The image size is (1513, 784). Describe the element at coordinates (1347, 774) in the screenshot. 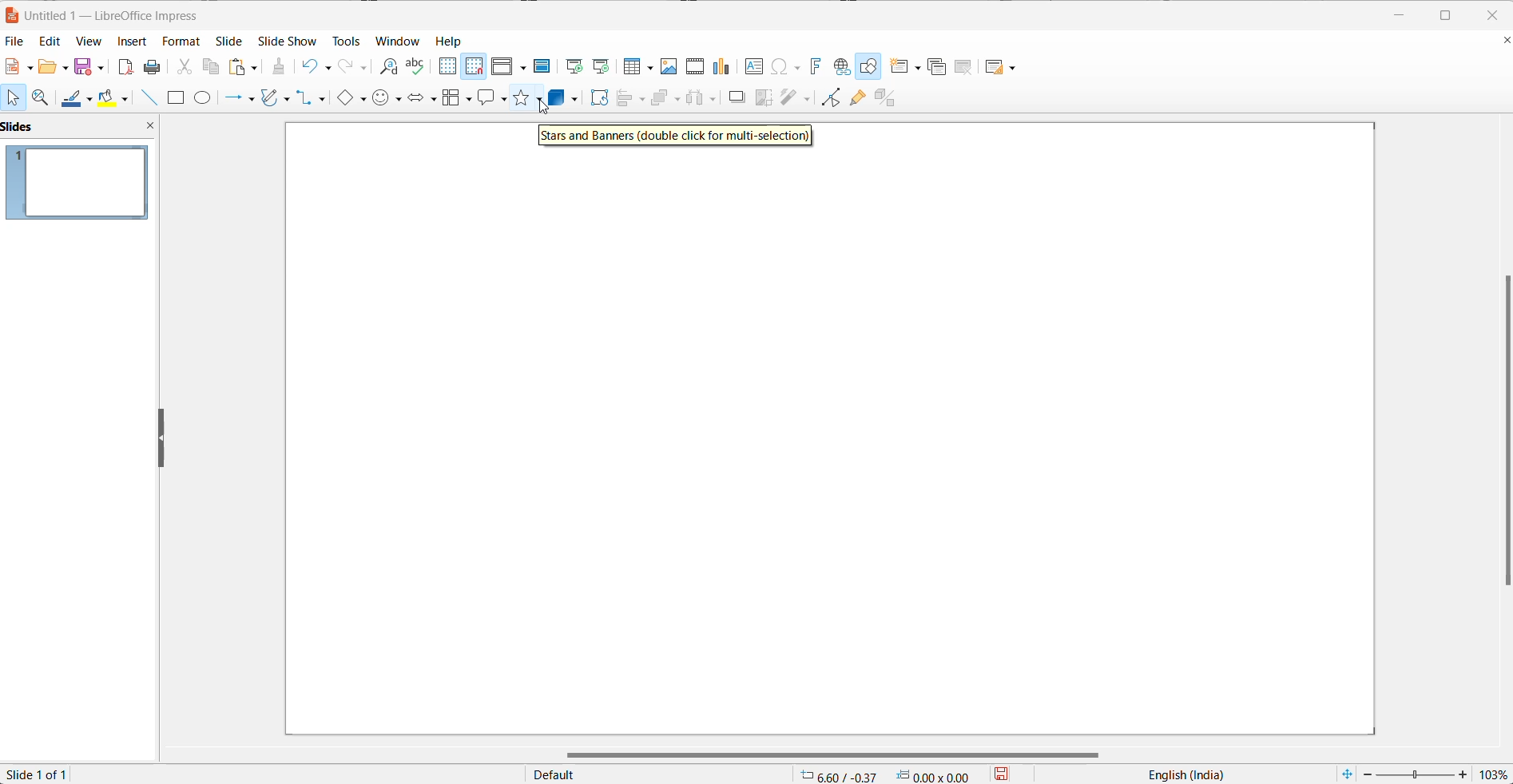

I see `fit slide to current window` at that location.